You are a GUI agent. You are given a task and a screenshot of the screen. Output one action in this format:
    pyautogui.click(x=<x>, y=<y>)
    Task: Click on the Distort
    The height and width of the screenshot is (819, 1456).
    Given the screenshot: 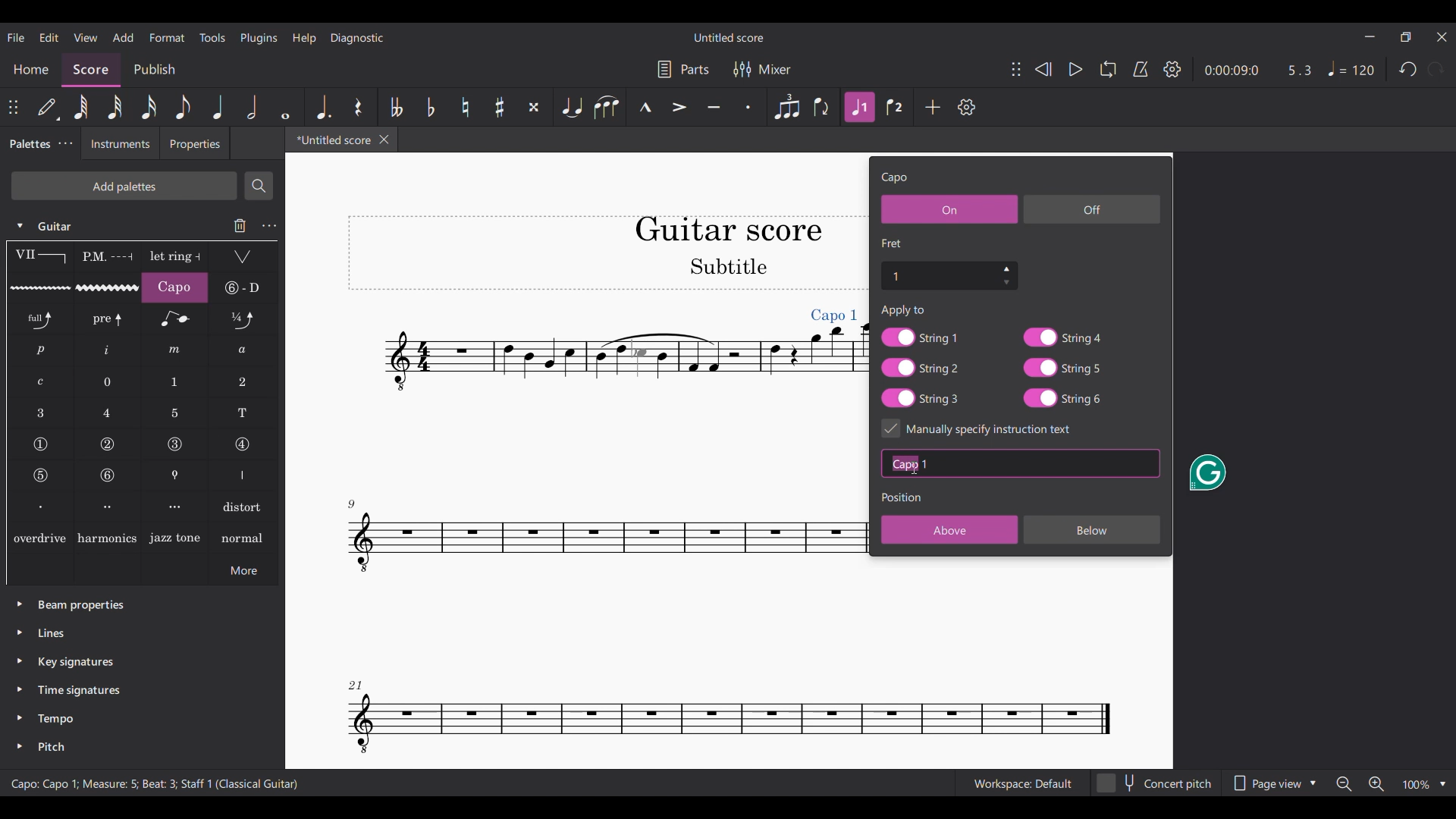 What is the action you would take?
    pyautogui.click(x=244, y=506)
    